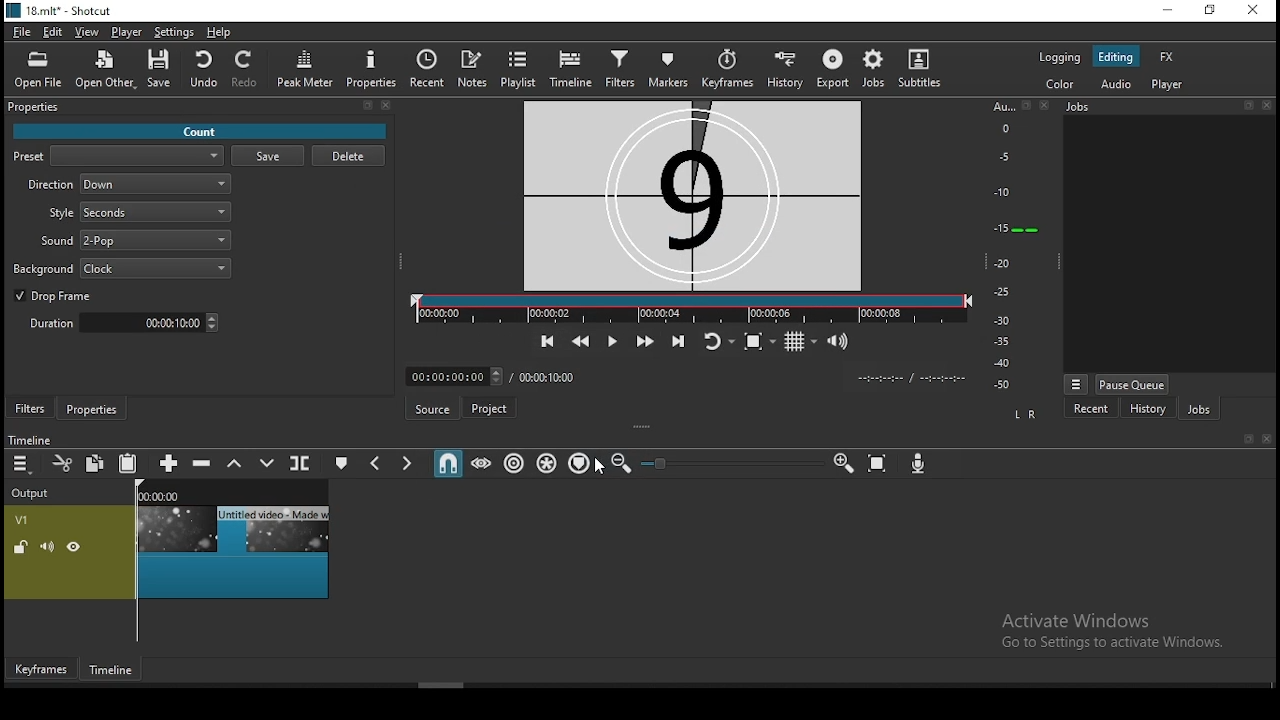 Image resolution: width=1280 pixels, height=720 pixels. What do you see at coordinates (342, 463) in the screenshot?
I see `create/edit marker` at bounding box center [342, 463].